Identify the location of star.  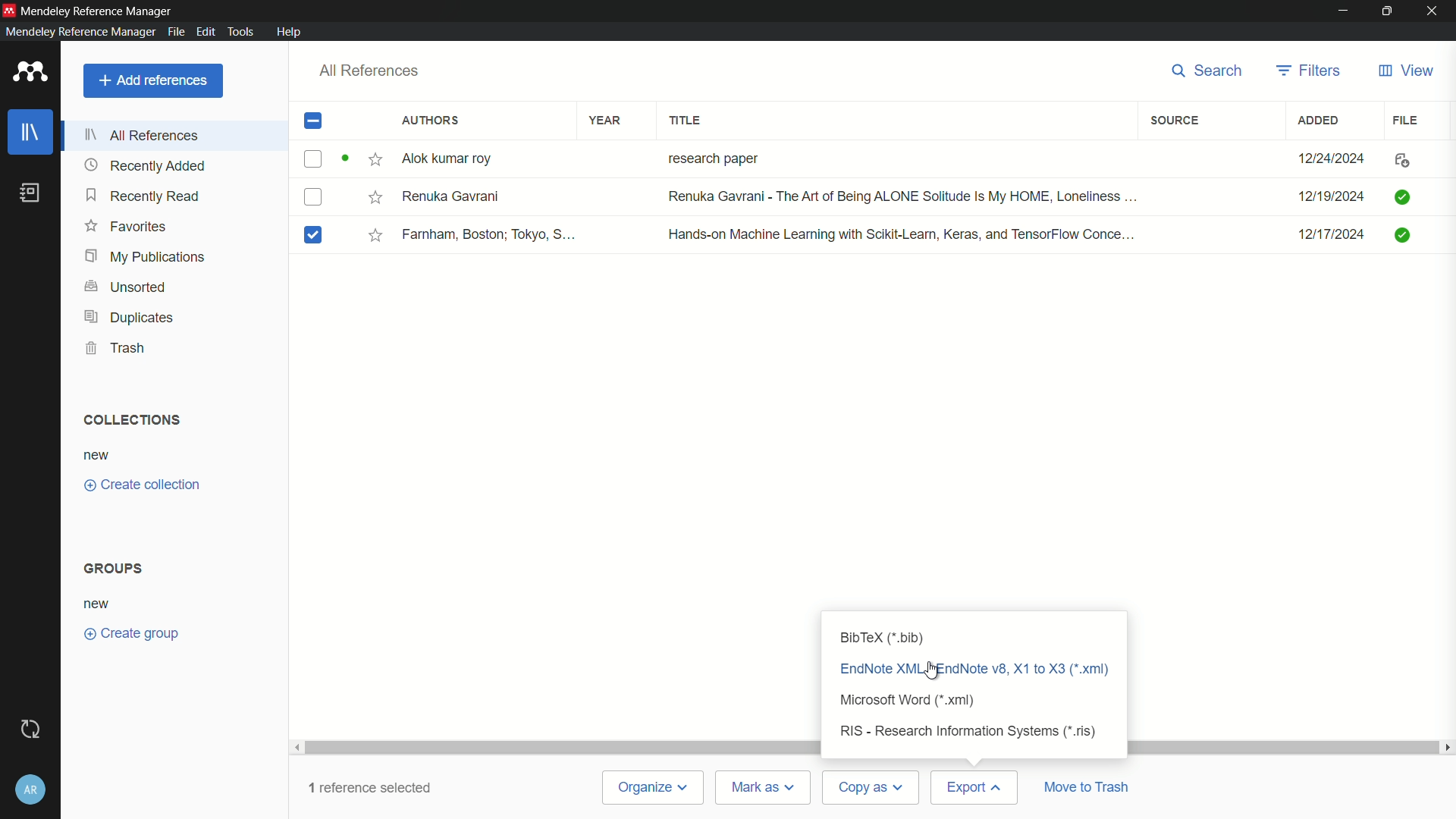
(372, 237).